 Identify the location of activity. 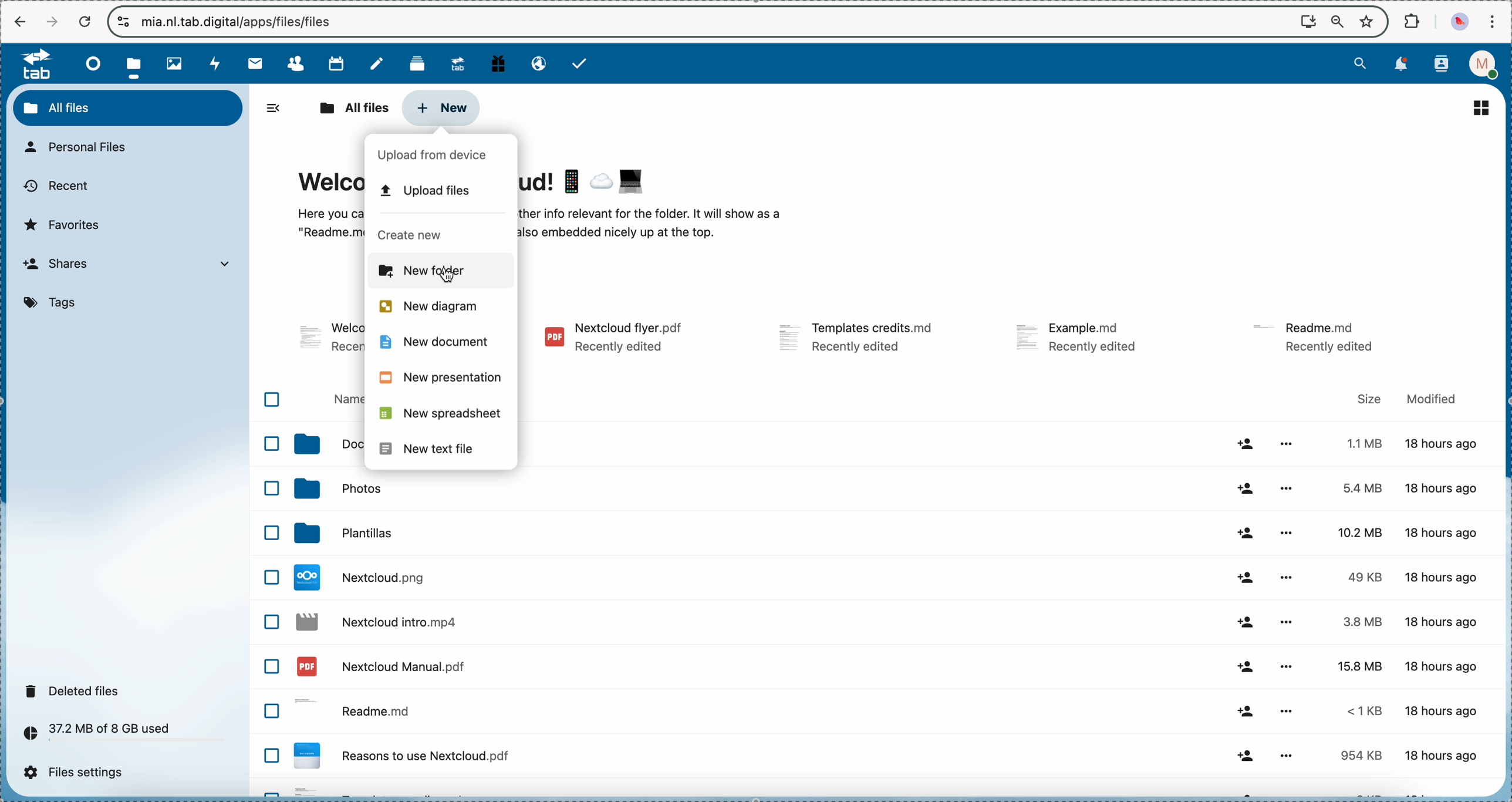
(217, 63).